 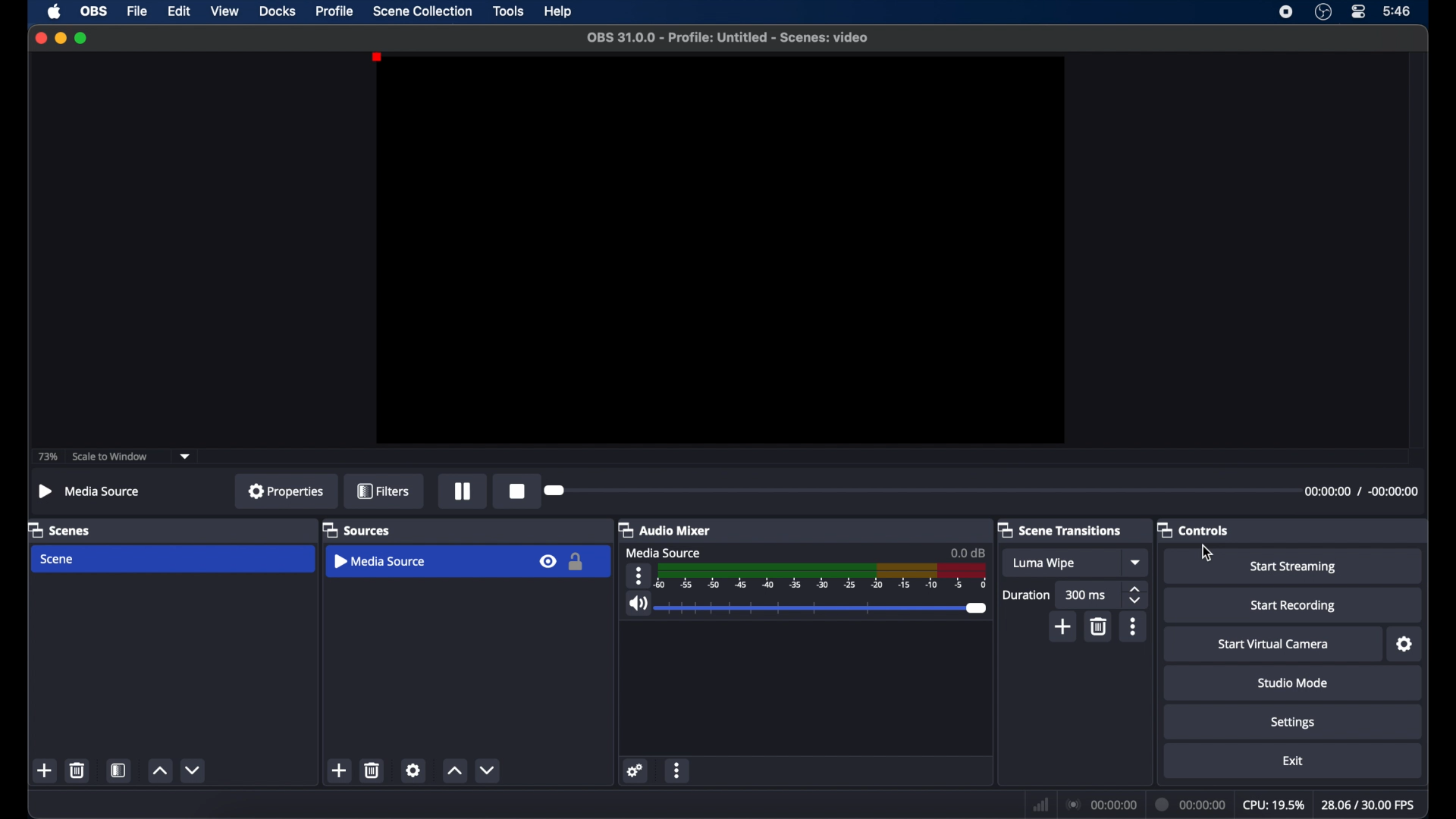 I want to click on apple icon, so click(x=54, y=11).